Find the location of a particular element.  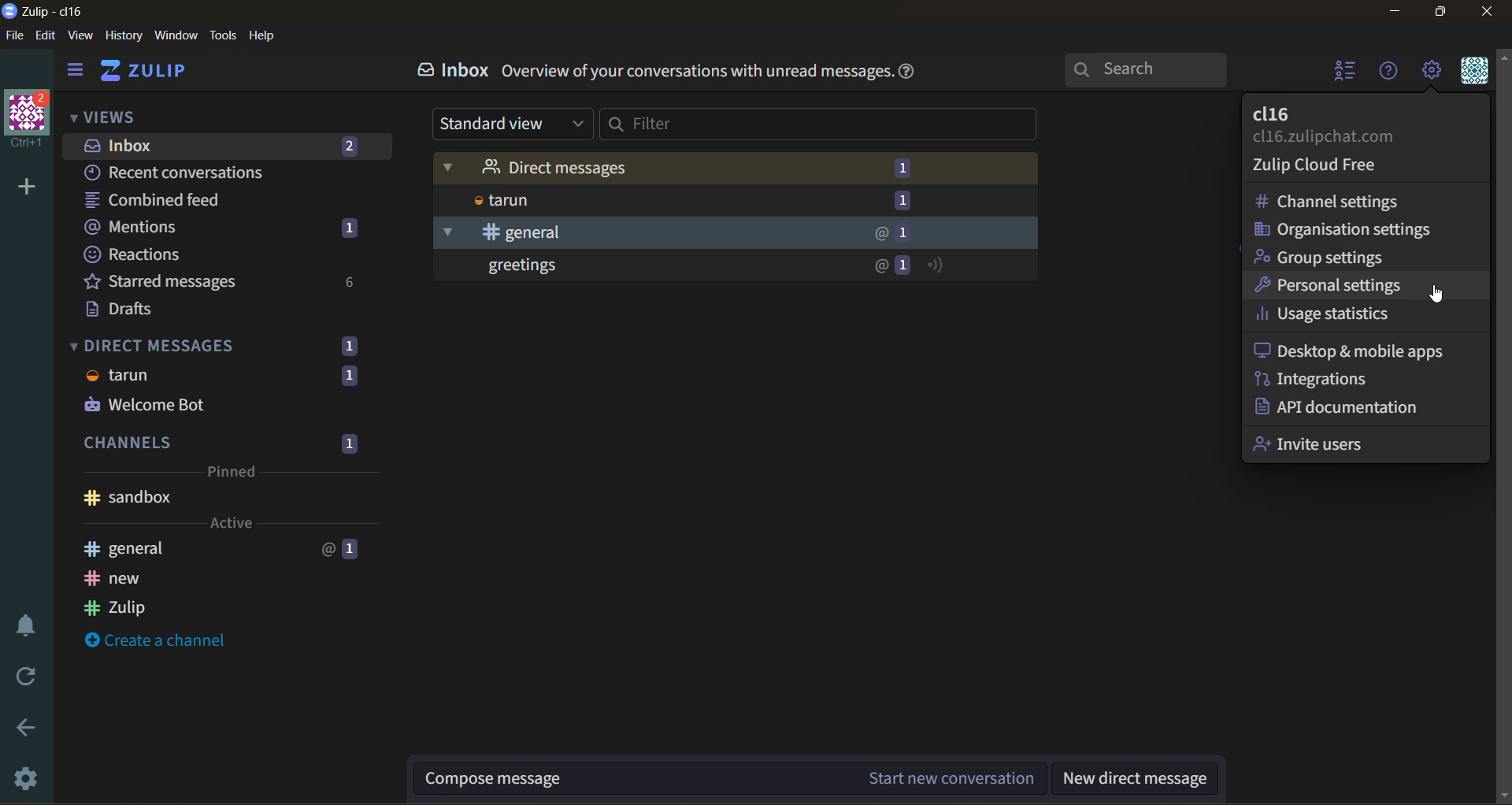

hide  user list is located at coordinates (1343, 69).